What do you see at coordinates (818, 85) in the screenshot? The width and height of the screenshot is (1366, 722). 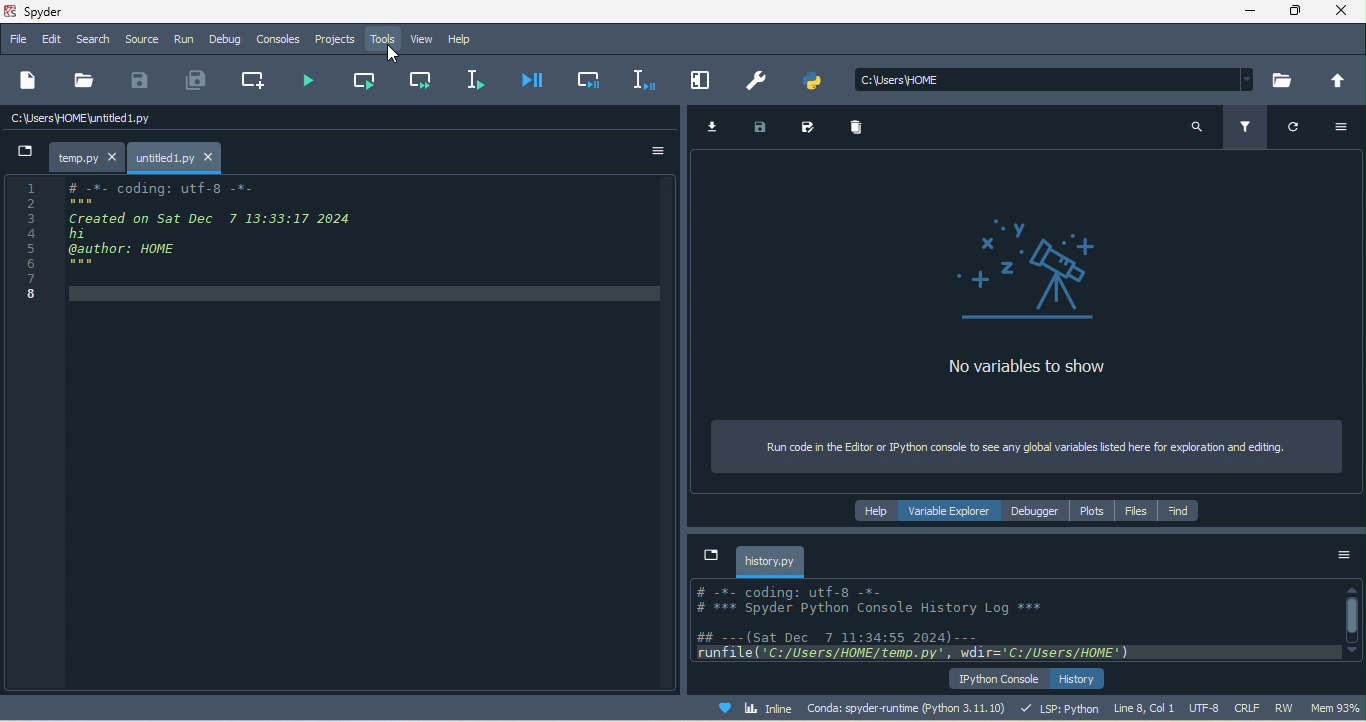 I see `pythonpath manager` at bounding box center [818, 85].